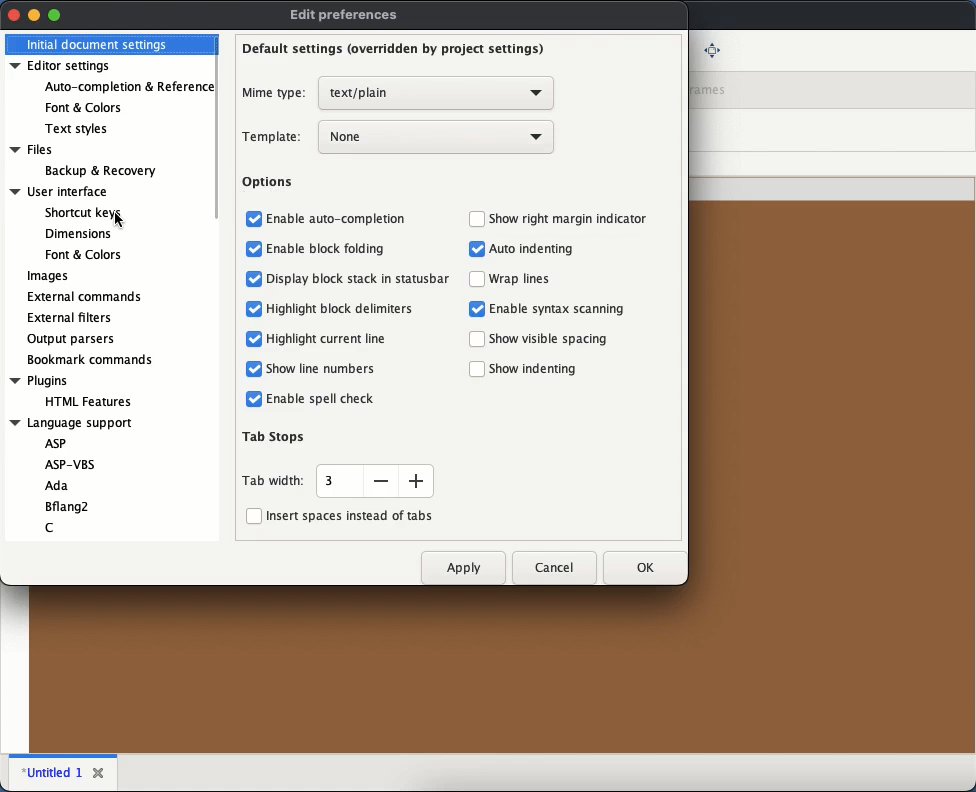 Image resolution: width=976 pixels, height=792 pixels. What do you see at coordinates (334, 479) in the screenshot?
I see `3` at bounding box center [334, 479].